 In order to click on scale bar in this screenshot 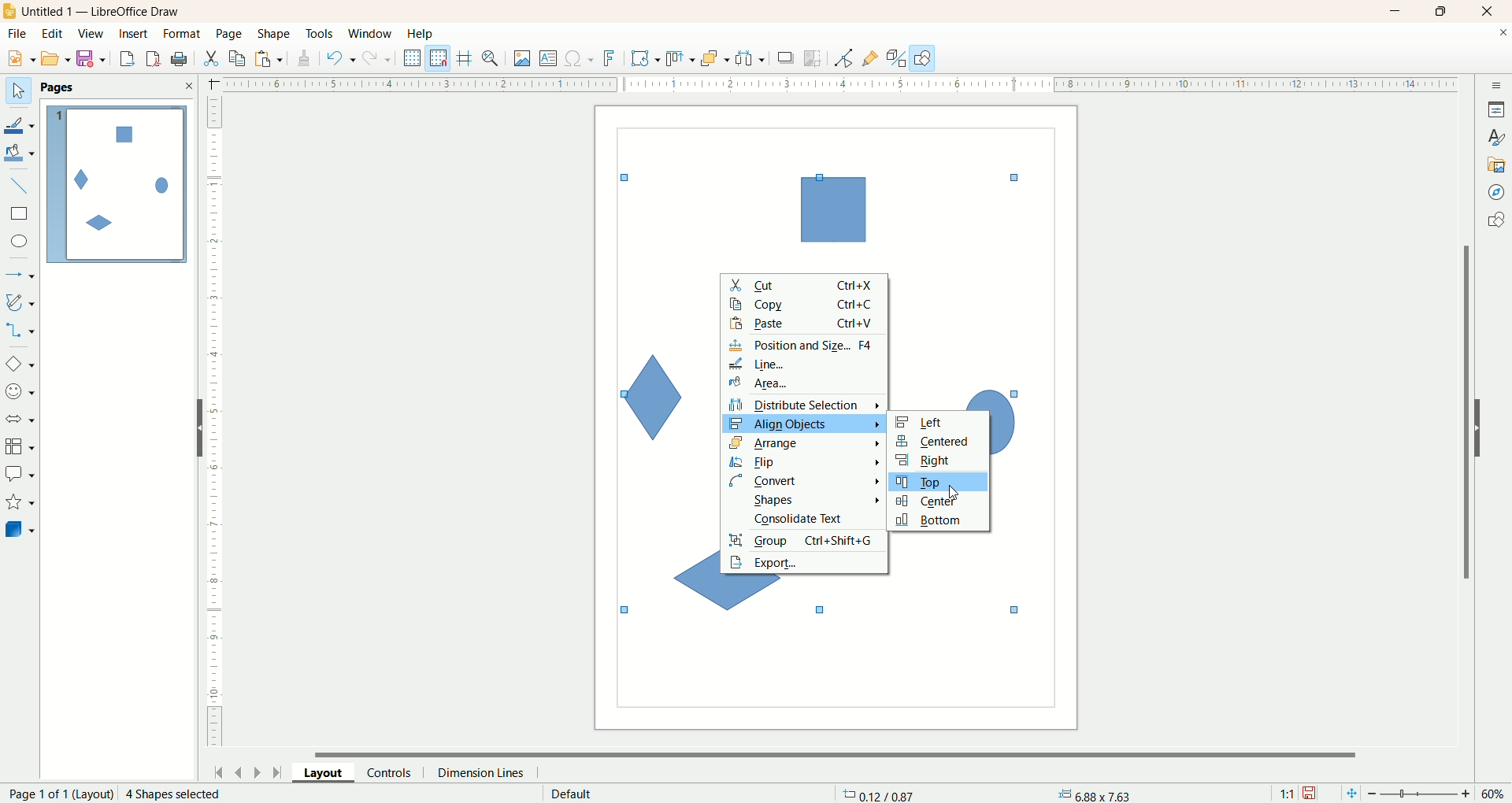, I will do `click(214, 425)`.